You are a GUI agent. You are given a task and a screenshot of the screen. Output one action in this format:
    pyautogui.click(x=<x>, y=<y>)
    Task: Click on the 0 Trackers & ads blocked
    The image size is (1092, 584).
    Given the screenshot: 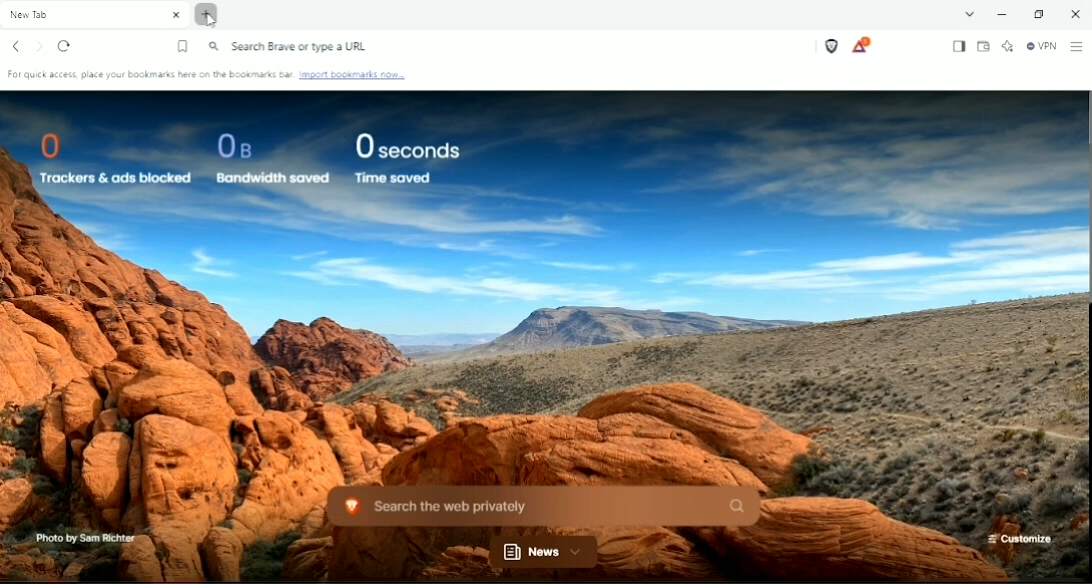 What is the action you would take?
    pyautogui.click(x=112, y=157)
    